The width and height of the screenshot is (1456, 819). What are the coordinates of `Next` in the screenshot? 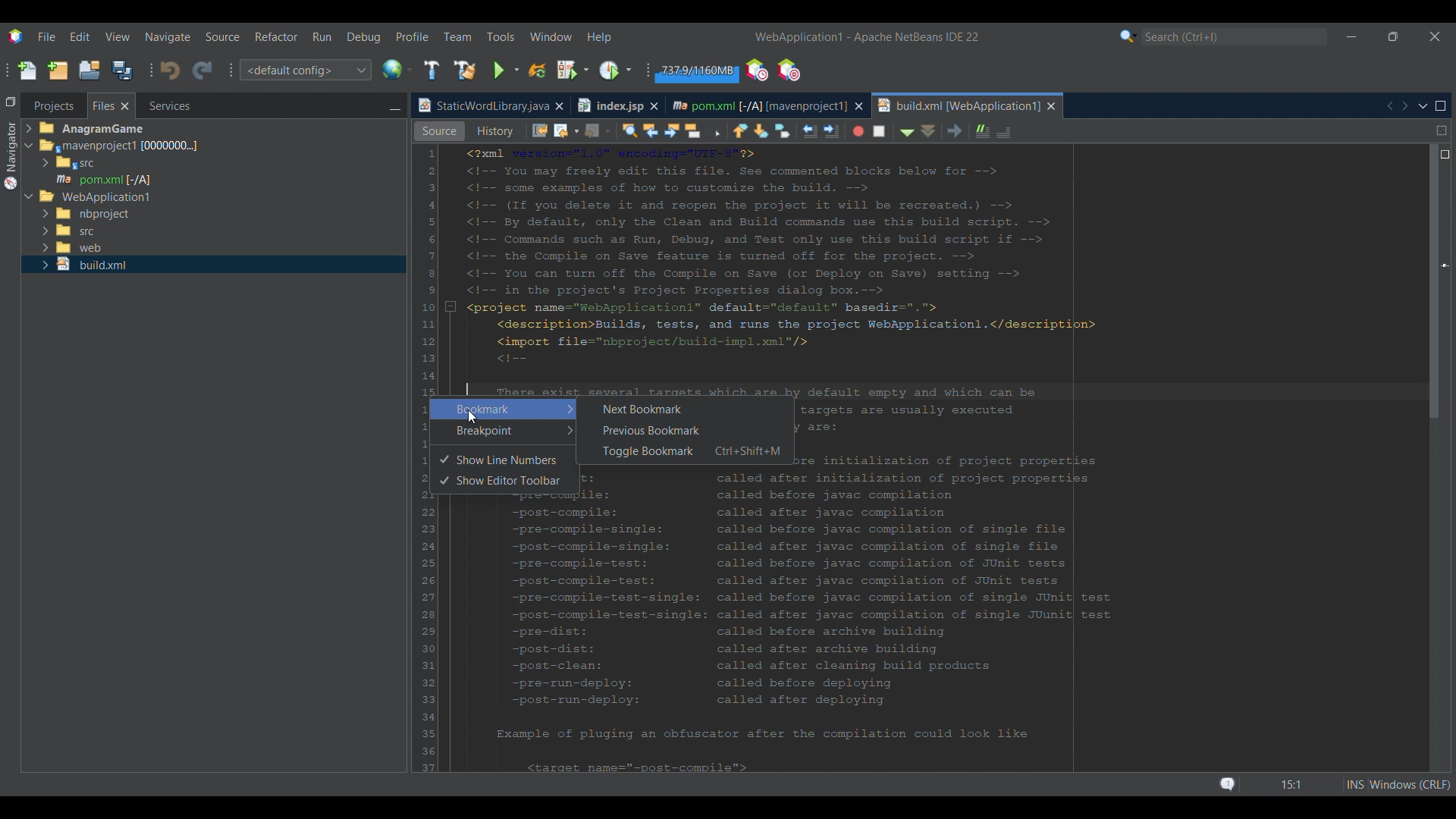 It's located at (1404, 105).